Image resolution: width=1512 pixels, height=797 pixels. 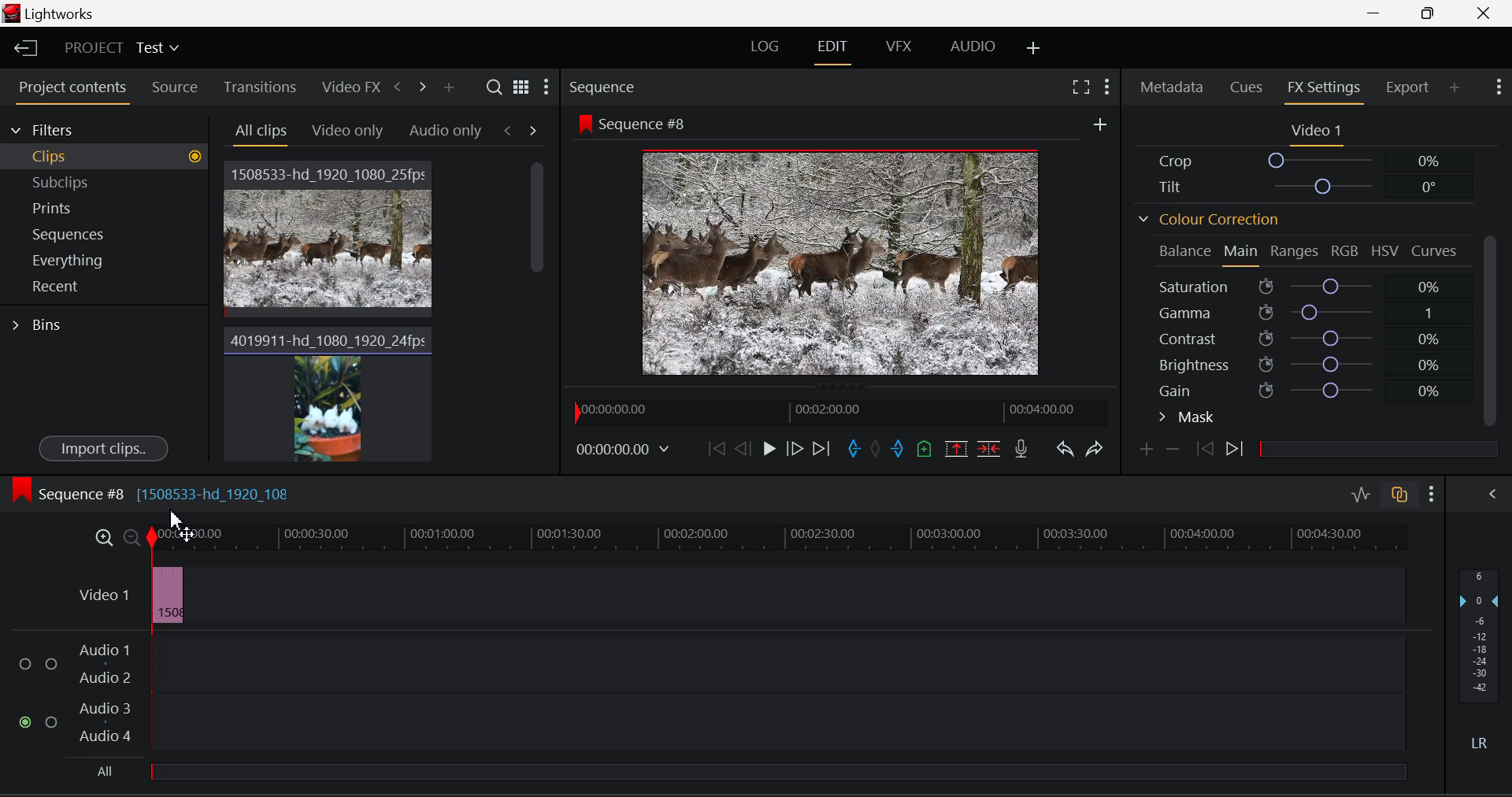 I want to click on Add panel, so click(x=451, y=88).